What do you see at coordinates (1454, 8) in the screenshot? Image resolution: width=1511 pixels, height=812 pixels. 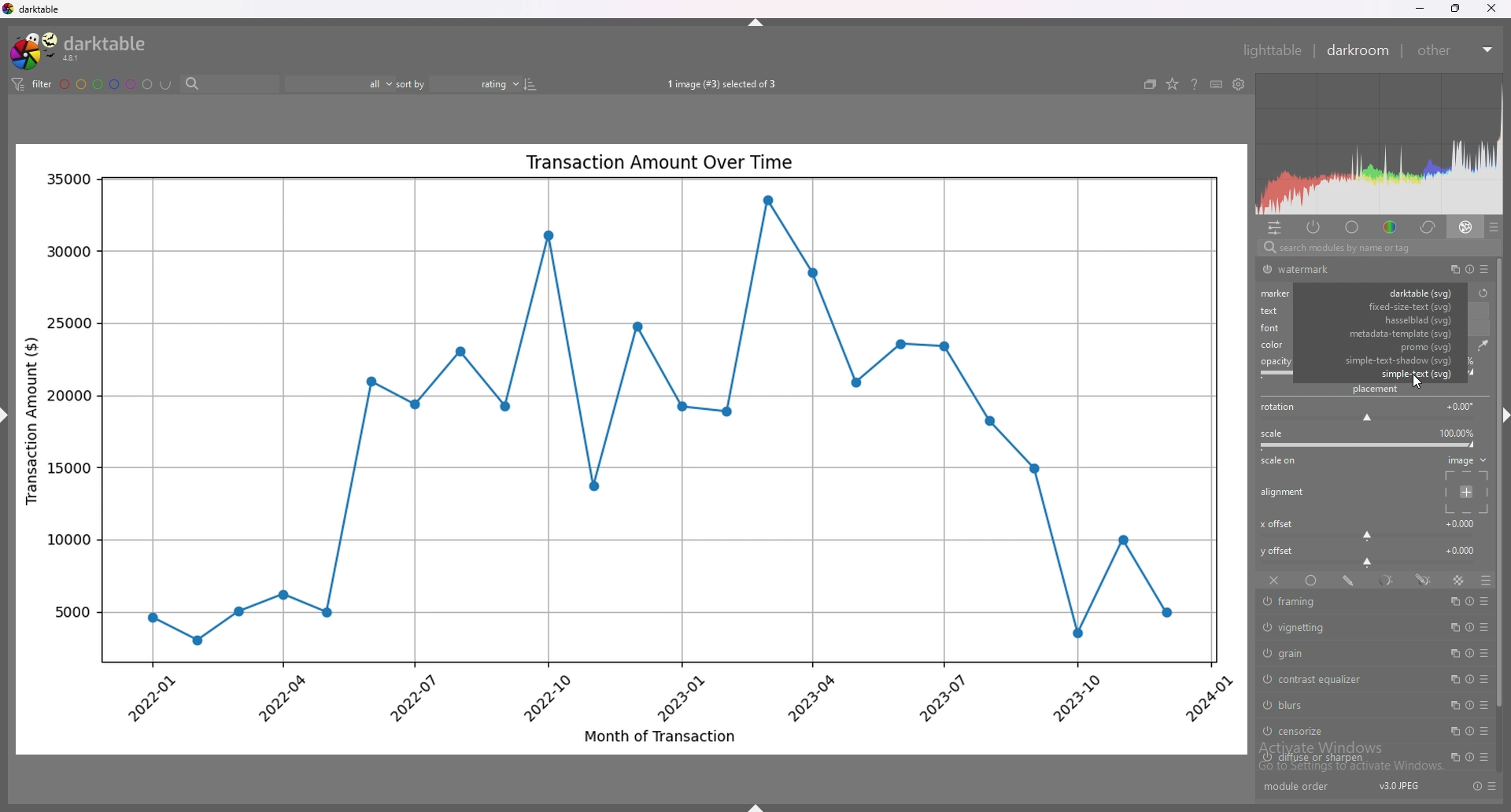 I see `resize` at bounding box center [1454, 8].